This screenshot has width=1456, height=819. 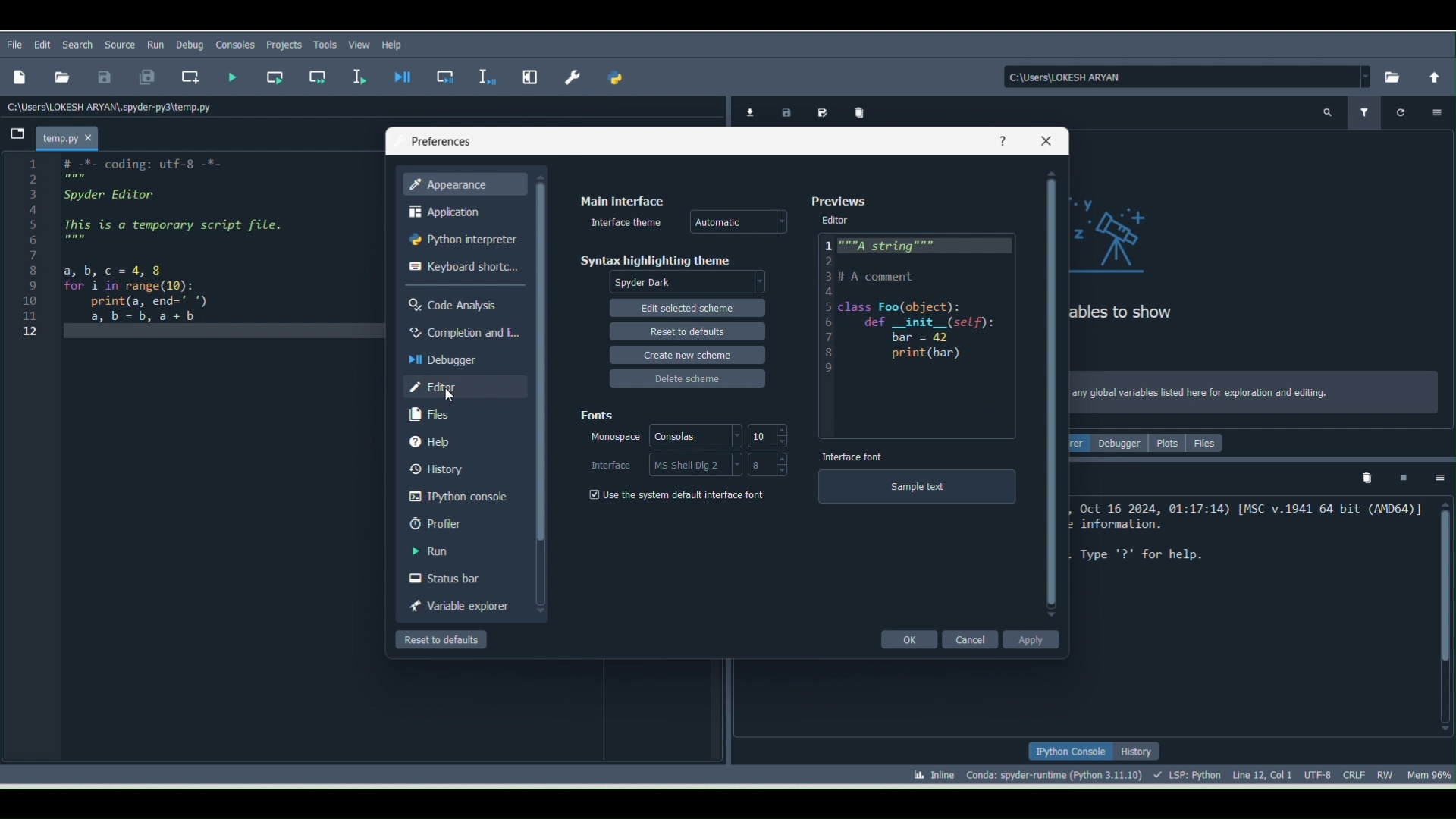 I want to click on Browse a working directory, so click(x=1389, y=76).